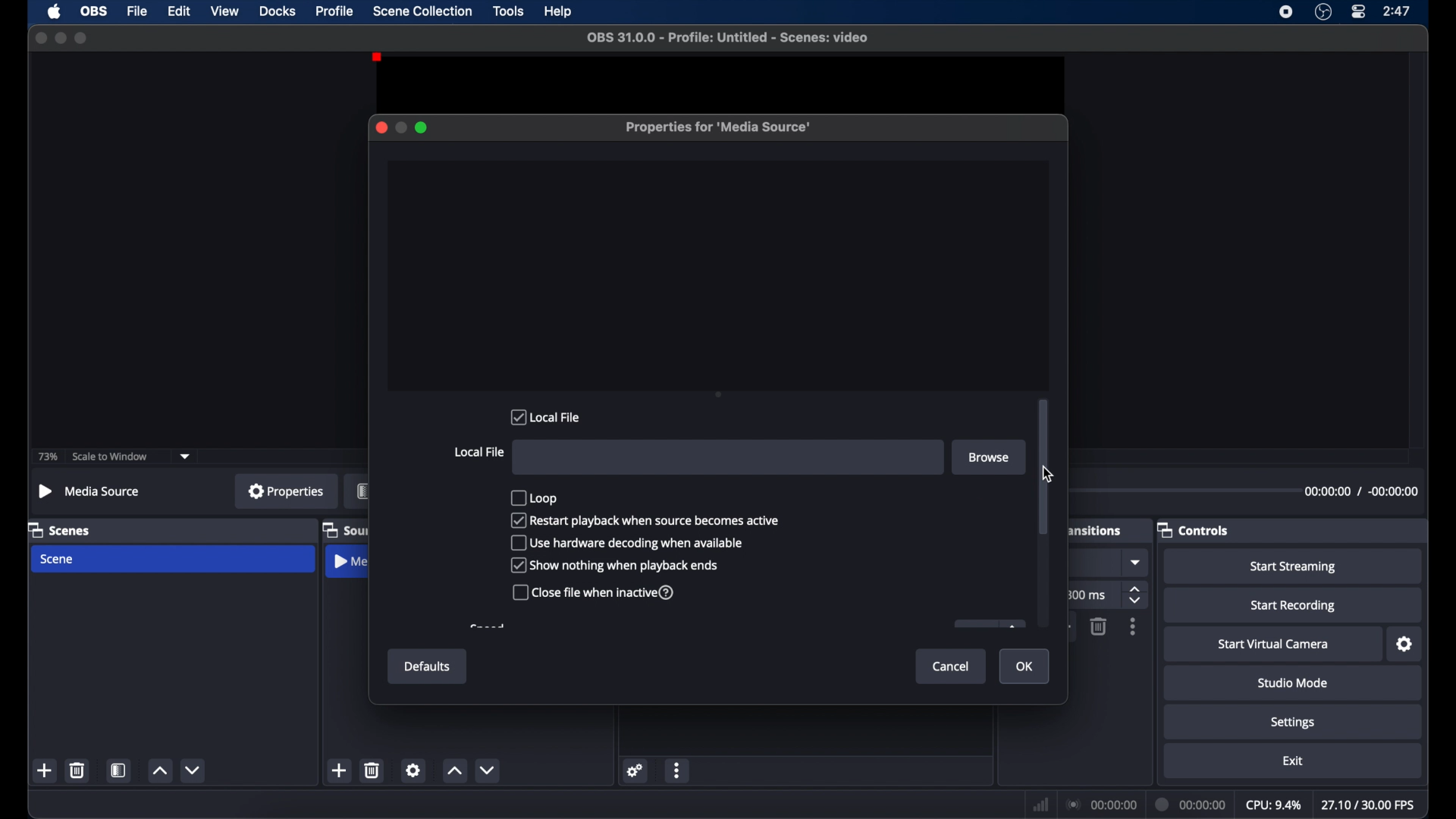  Describe the element at coordinates (1085, 593) in the screenshot. I see `ms` at that location.